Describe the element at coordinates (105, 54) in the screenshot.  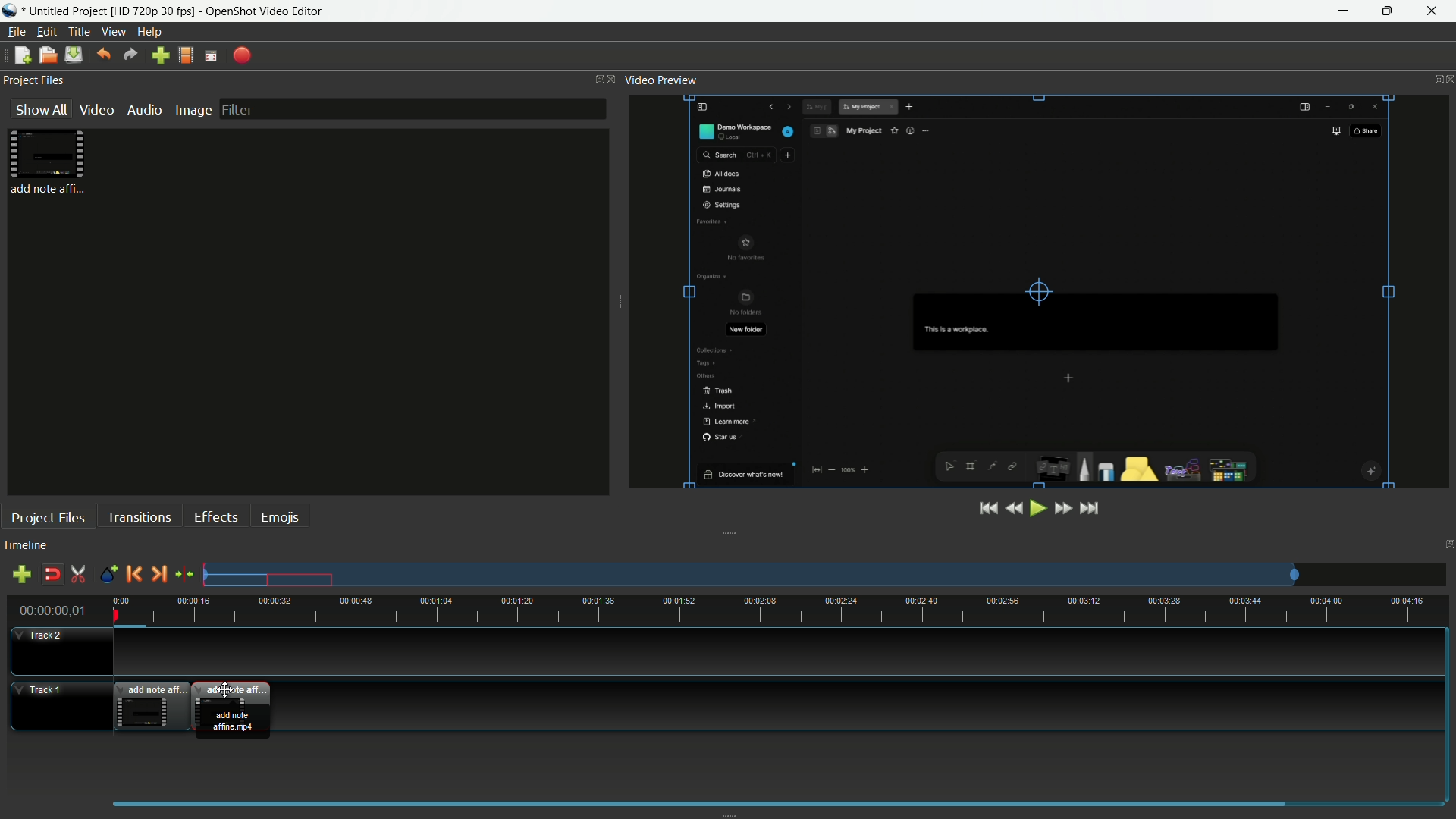
I see `undo` at that location.